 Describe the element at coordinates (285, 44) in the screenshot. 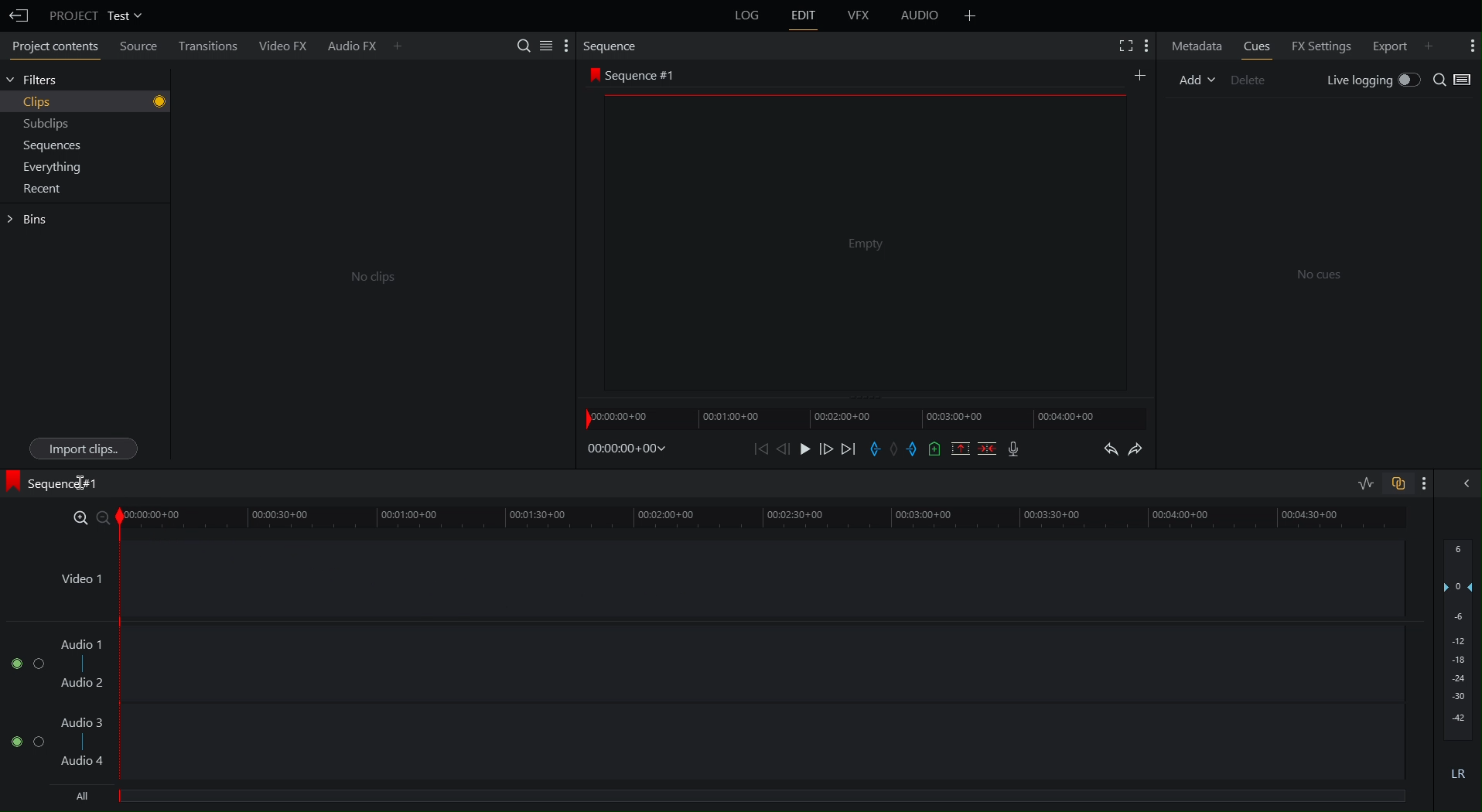

I see `Video FX` at that location.